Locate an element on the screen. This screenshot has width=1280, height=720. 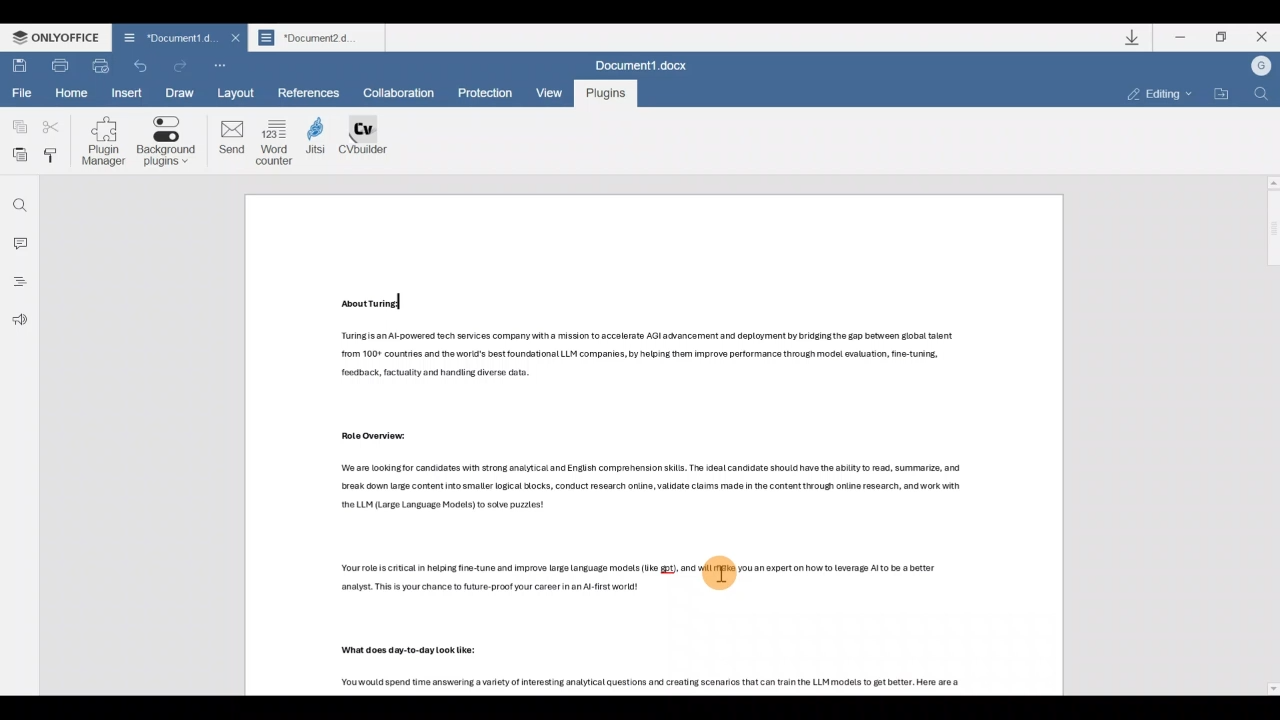
Scroll bar is located at coordinates (1264, 439).